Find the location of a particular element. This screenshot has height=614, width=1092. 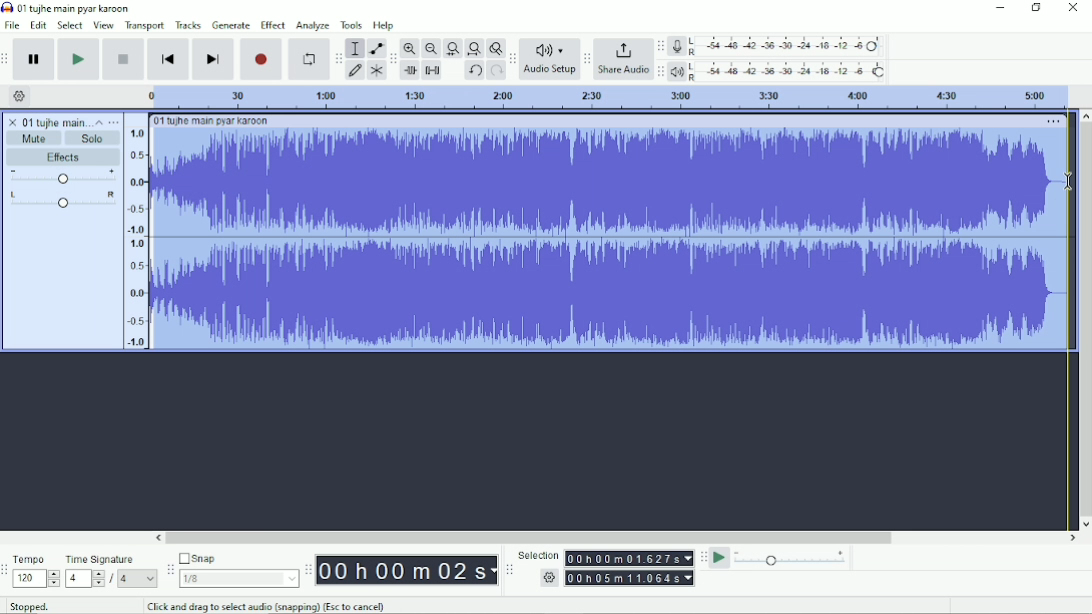

Zoom toggle is located at coordinates (494, 48).